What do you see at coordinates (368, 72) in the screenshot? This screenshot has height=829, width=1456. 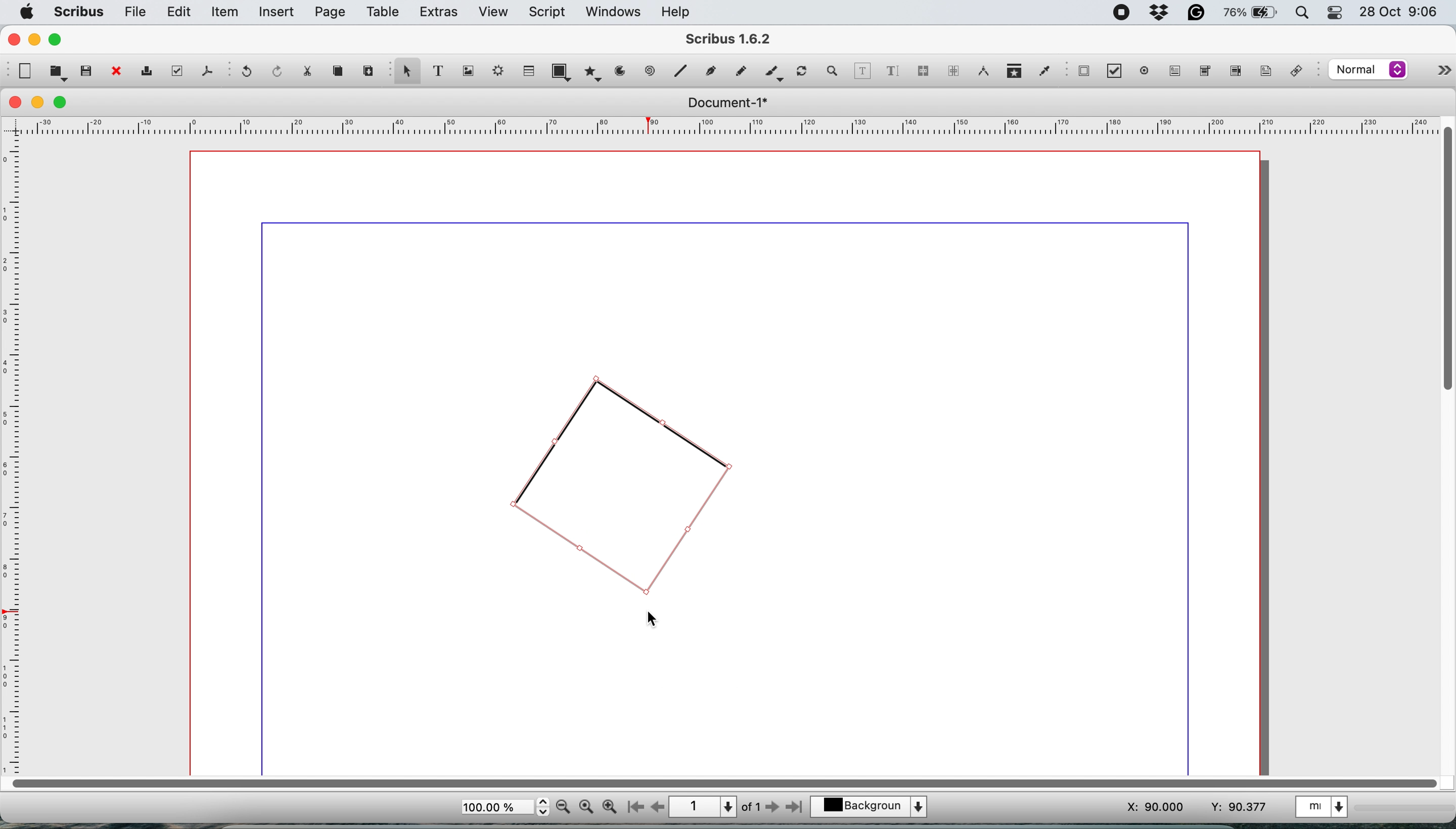 I see `paste` at bounding box center [368, 72].